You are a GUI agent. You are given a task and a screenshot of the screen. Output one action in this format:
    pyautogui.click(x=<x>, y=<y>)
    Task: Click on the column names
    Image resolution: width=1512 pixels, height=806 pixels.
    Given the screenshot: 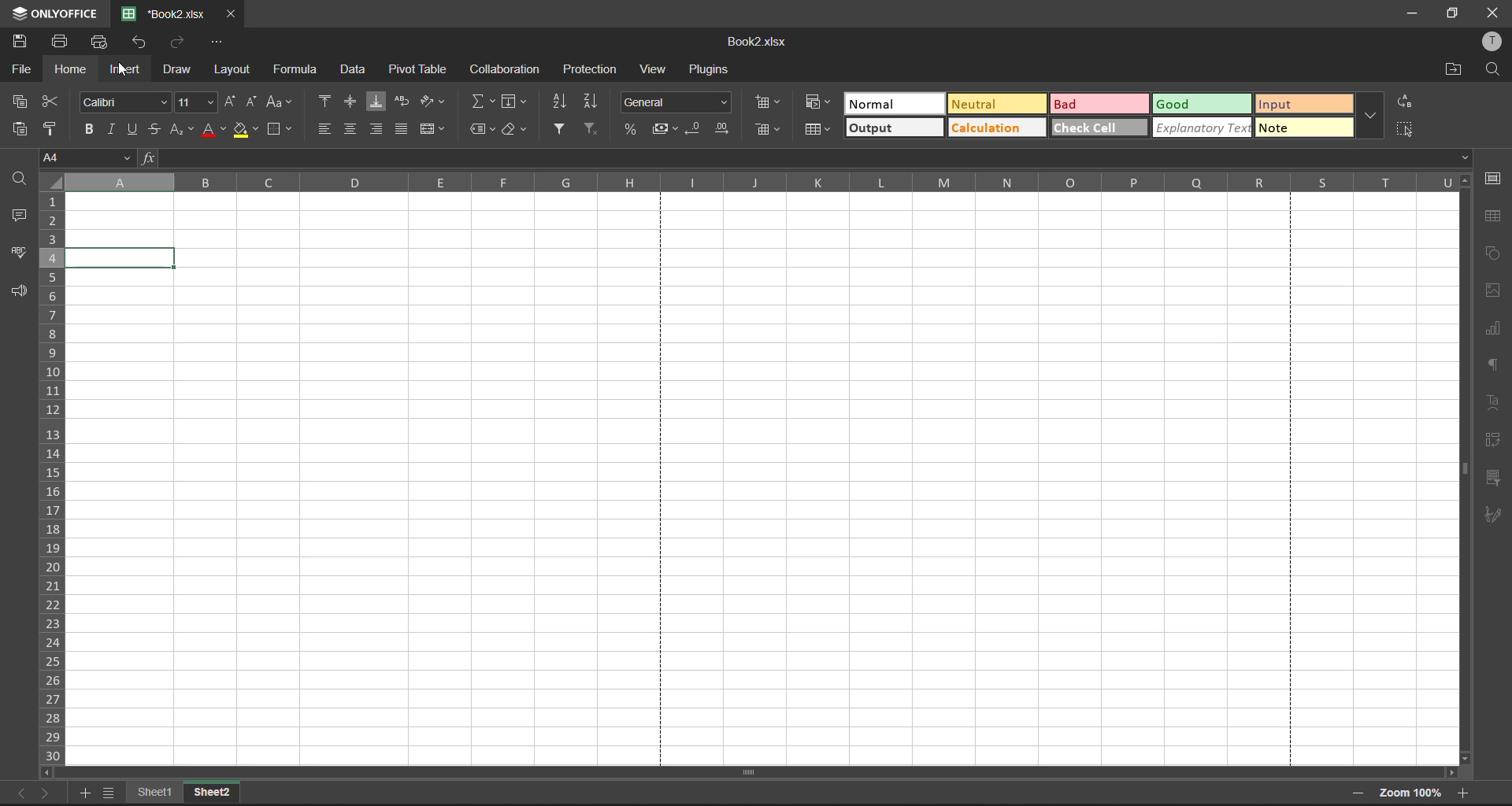 What is the action you would take?
    pyautogui.click(x=760, y=182)
    